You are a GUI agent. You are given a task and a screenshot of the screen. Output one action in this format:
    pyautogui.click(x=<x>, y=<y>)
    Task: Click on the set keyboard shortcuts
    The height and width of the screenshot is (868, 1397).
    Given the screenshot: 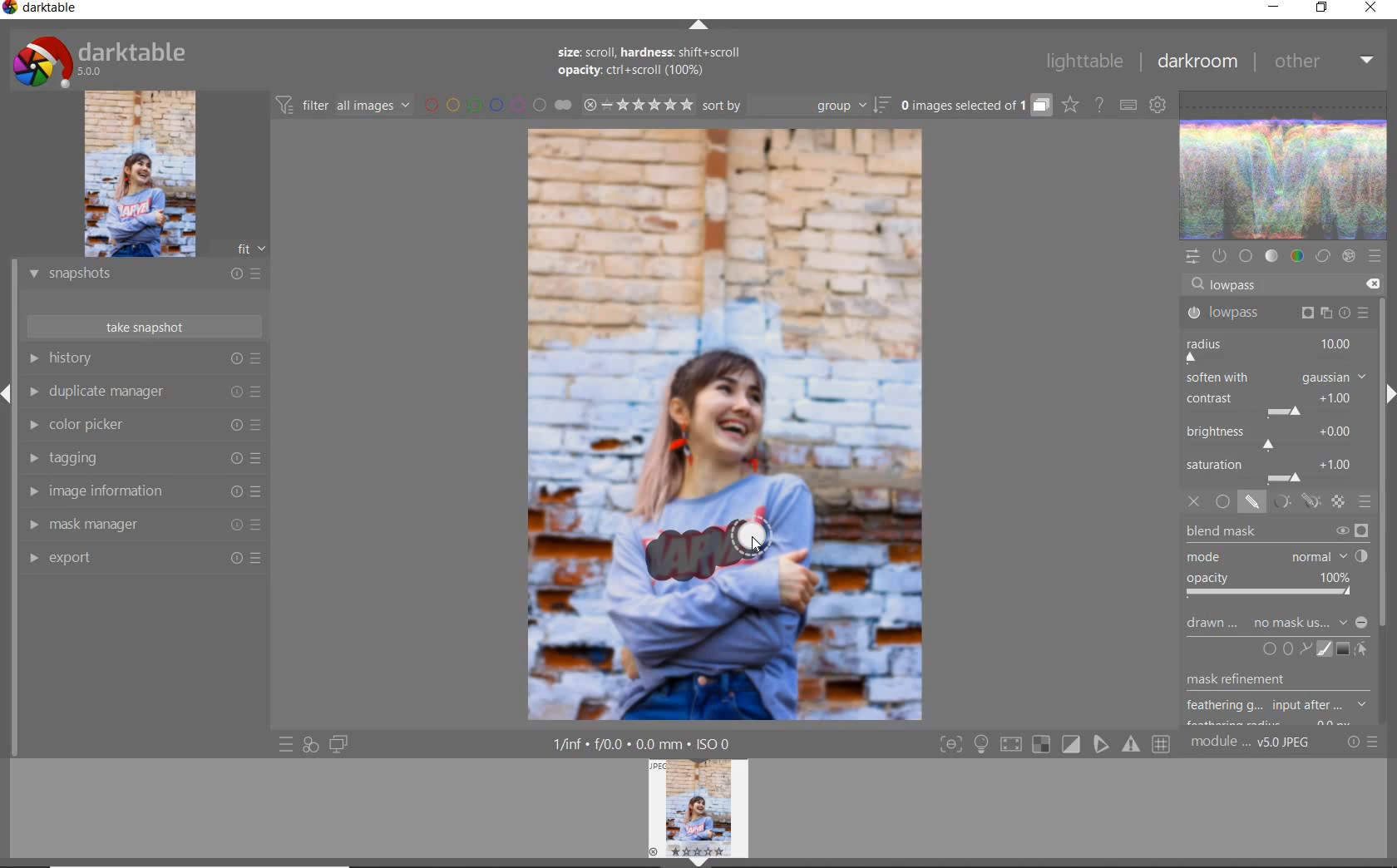 What is the action you would take?
    pyautogui.click(x=1127, y=104)
    